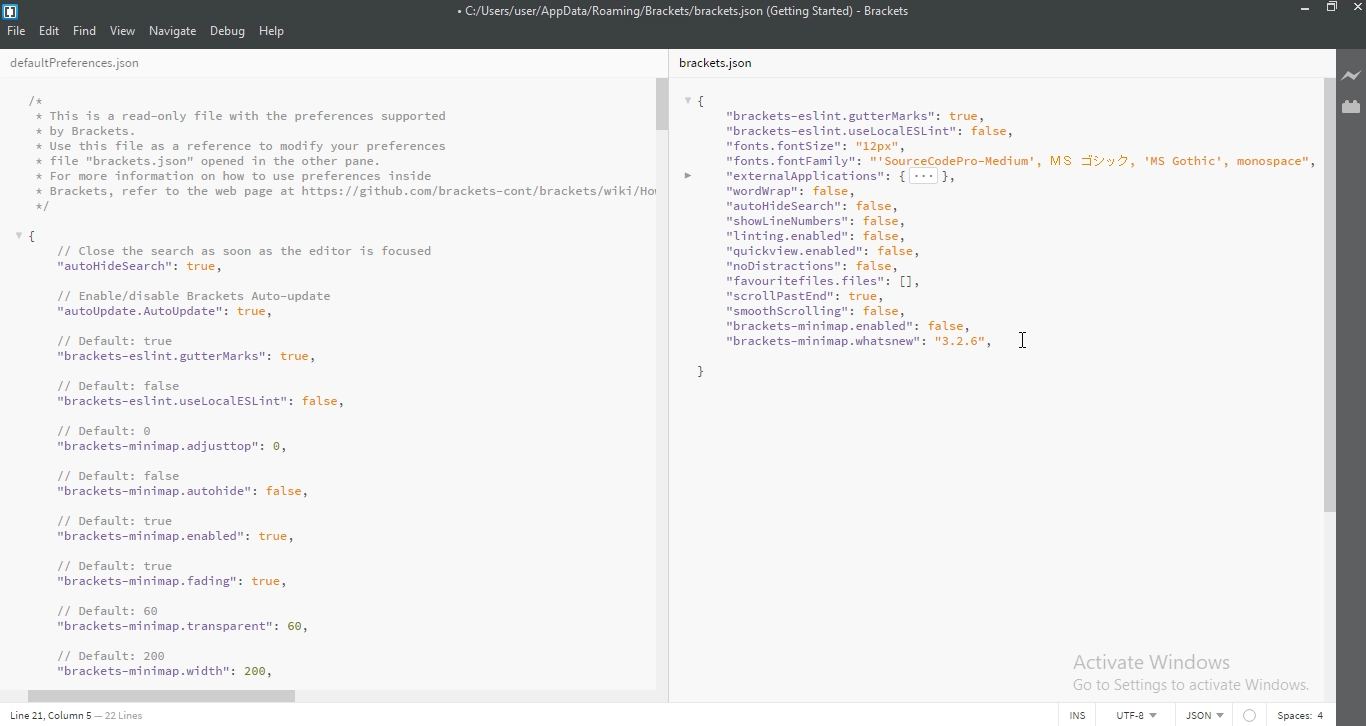 The height and width of the screenshot is (726, 1366). I want to click on JSON, so click(1201, 716).